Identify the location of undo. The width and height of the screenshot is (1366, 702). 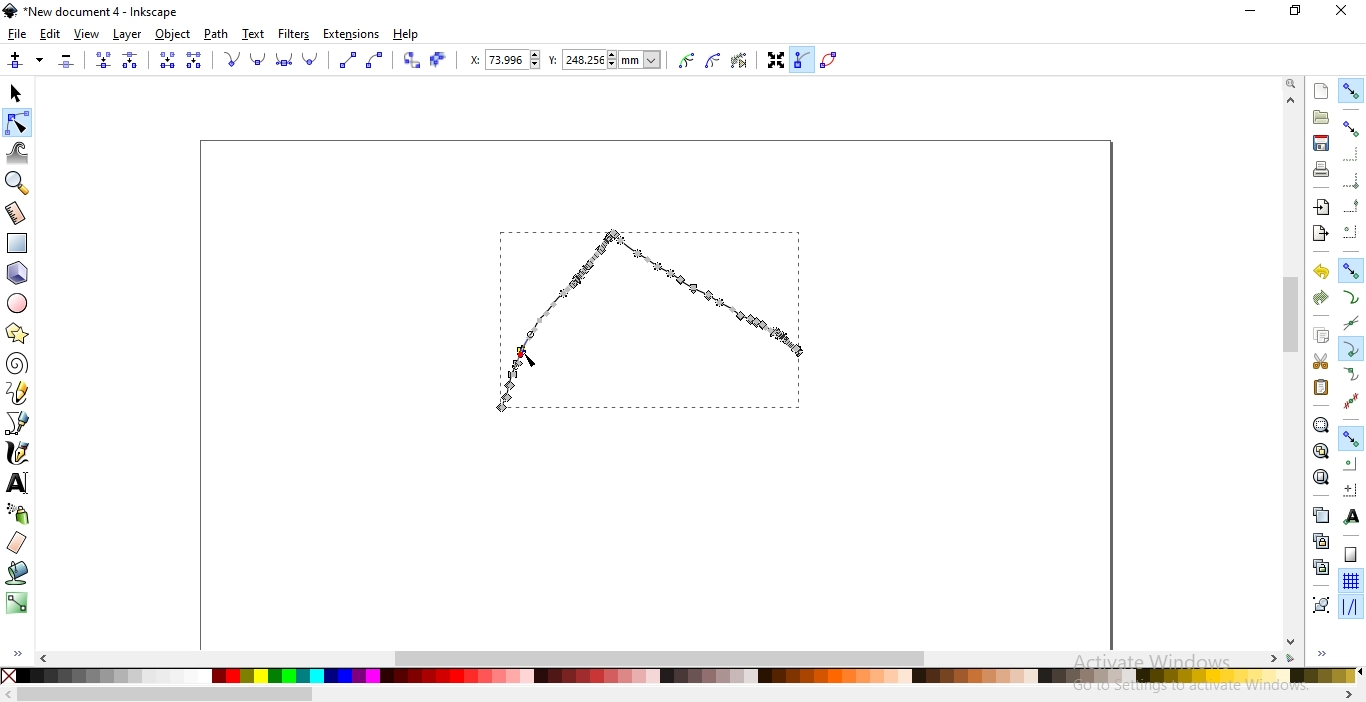
(1320, 270).